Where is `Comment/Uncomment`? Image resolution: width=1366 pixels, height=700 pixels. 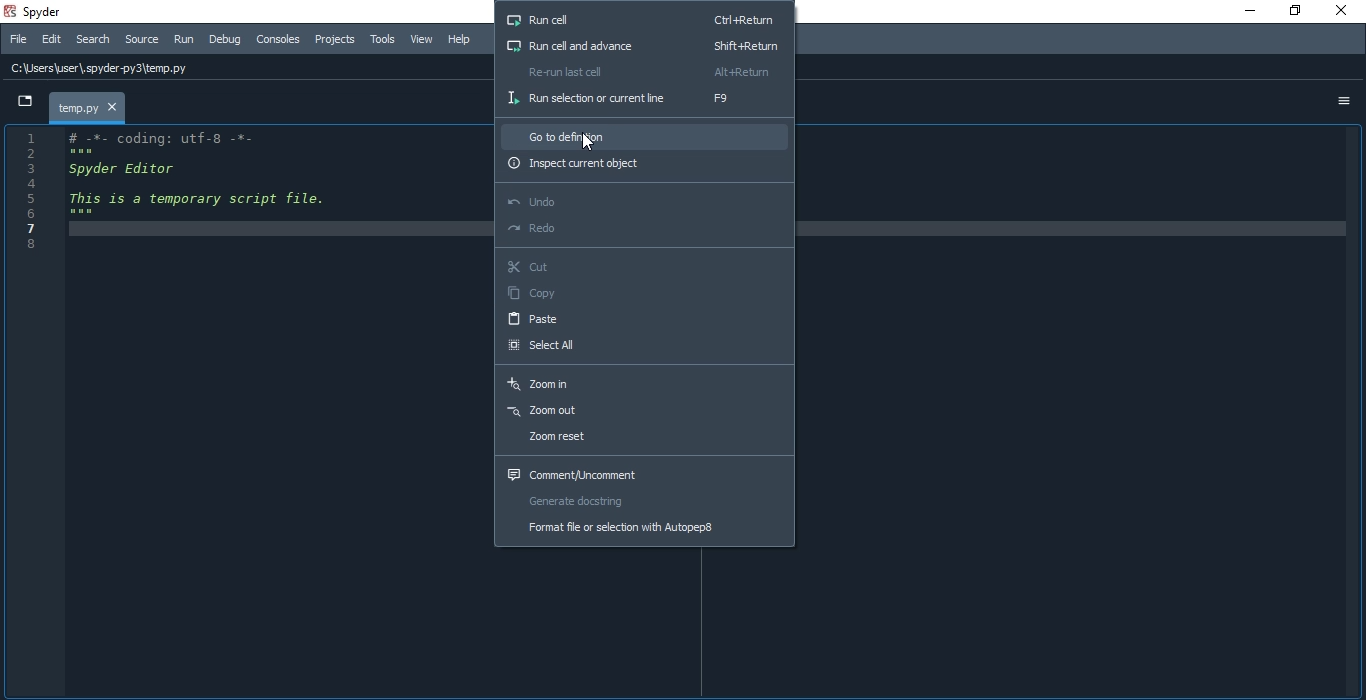
Comment/Uncomment is located at coordinates (641, 473).